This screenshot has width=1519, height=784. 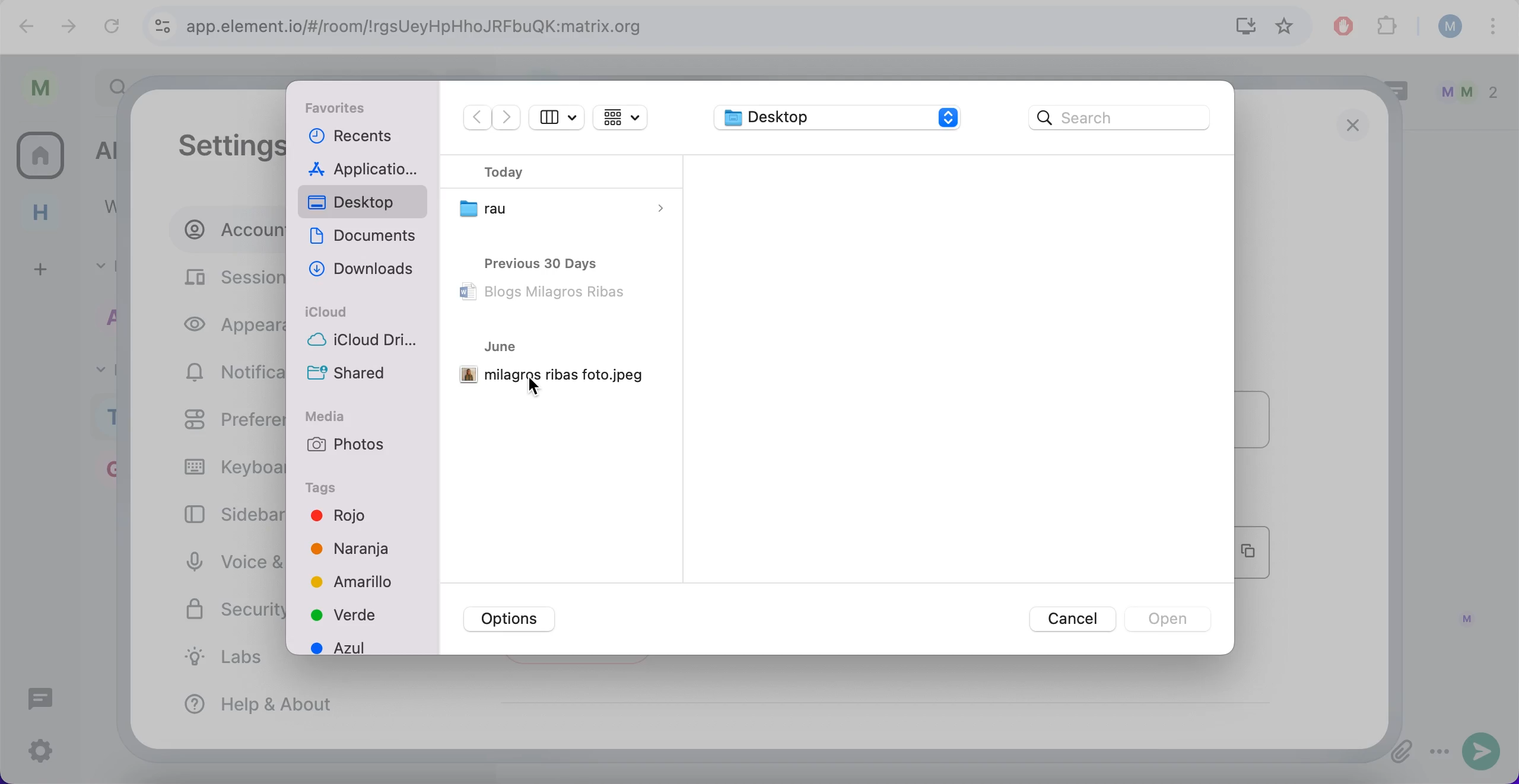 I want to click on today, so click(x=544, y=171).